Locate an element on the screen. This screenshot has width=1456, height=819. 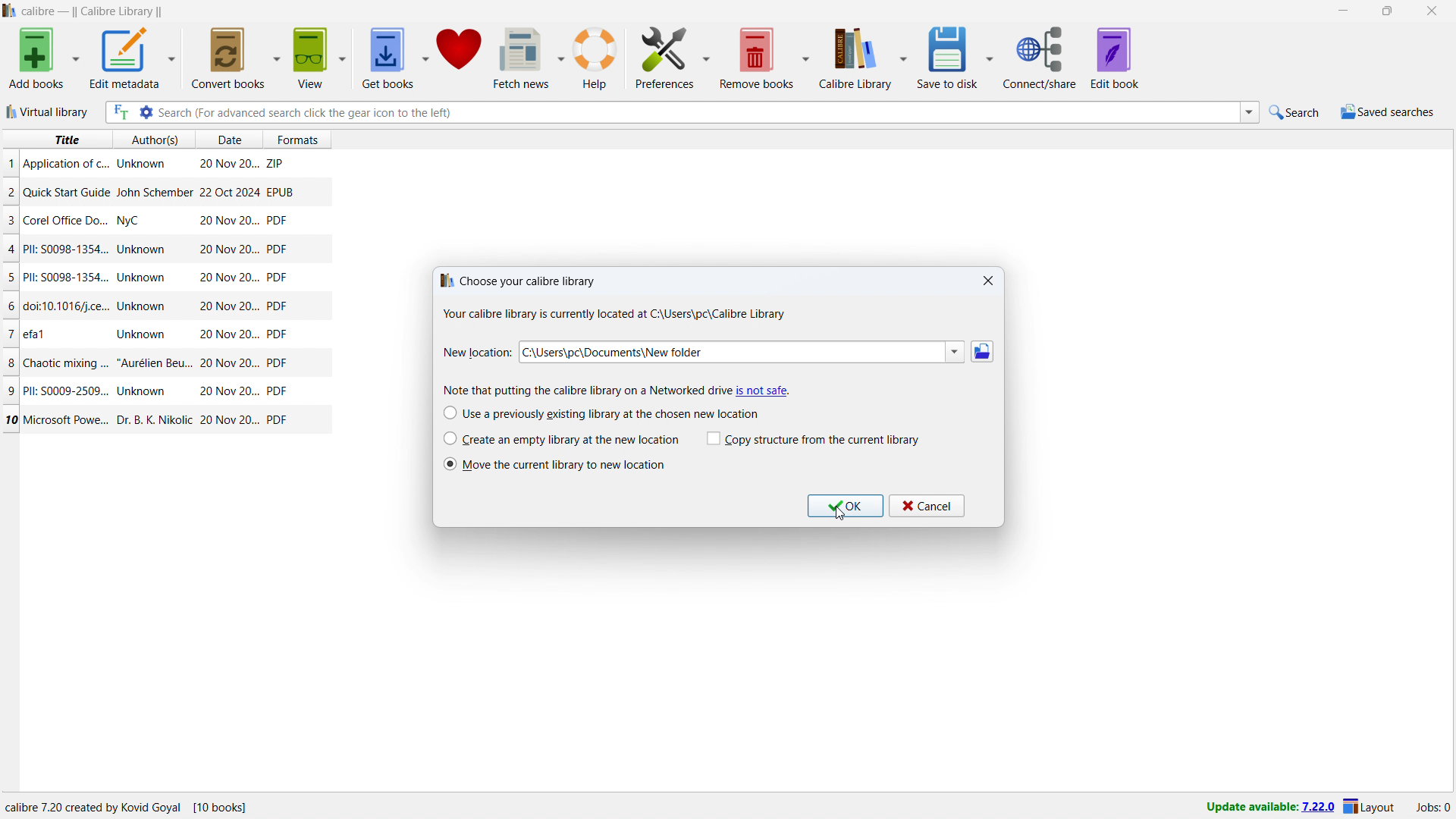
option selected is located at coordinates (449, 465).